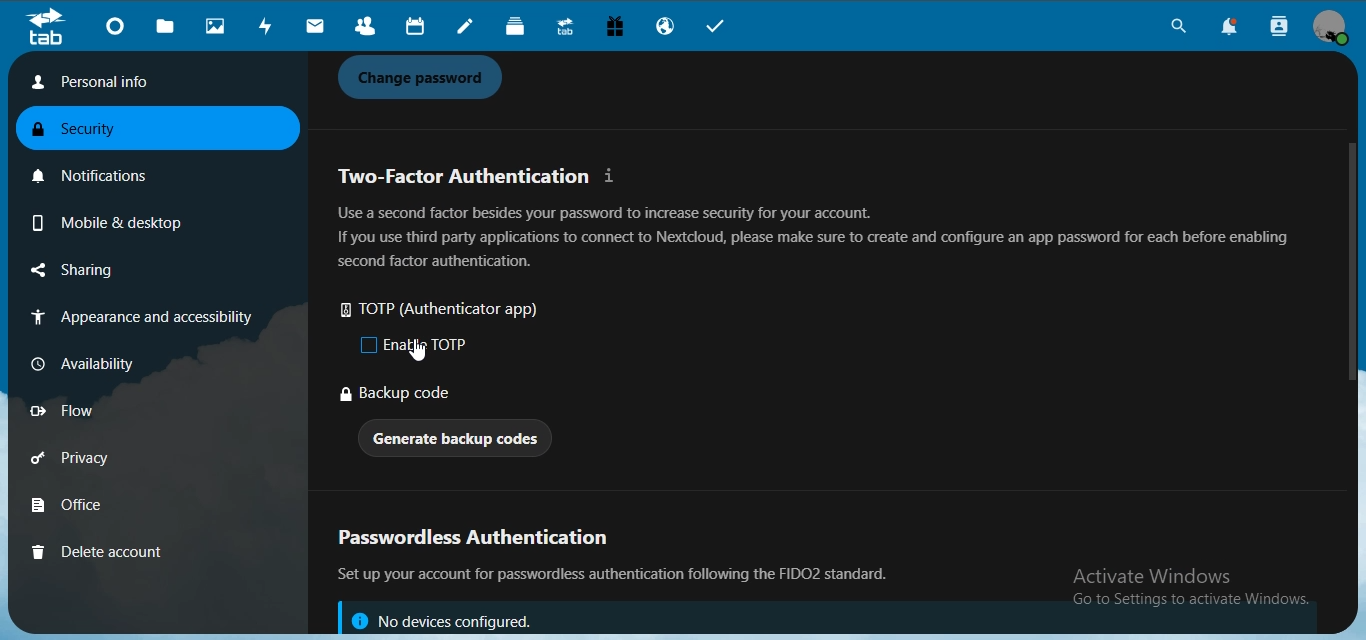 The height and width of the screenshot is (640, 1366). What do you see at coordinates (45, 27) in the screenshot?
I see `icon` at bounding box center [45, 27].